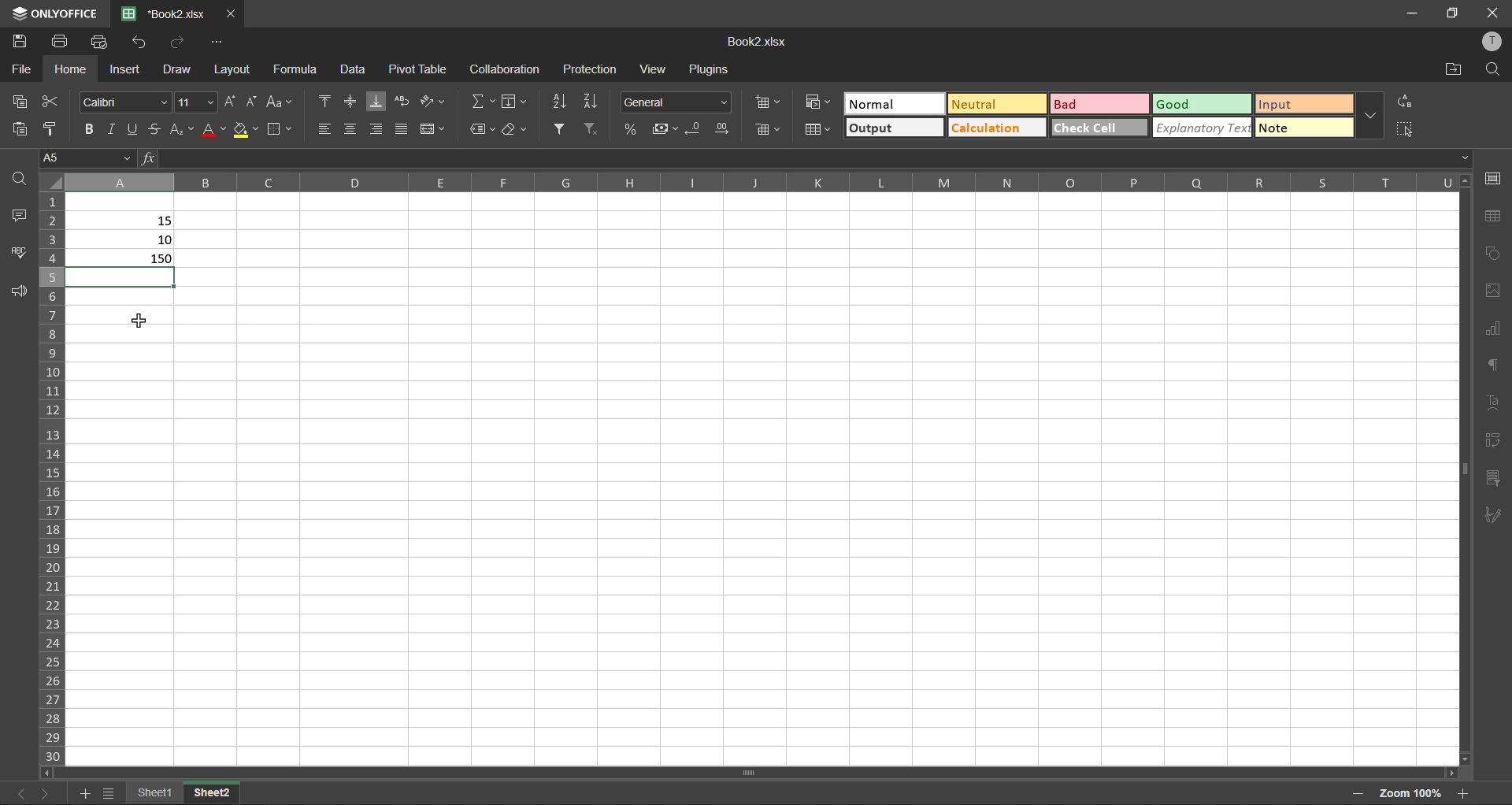  I want to click on customize quick access toolbar, so click(219, 43).